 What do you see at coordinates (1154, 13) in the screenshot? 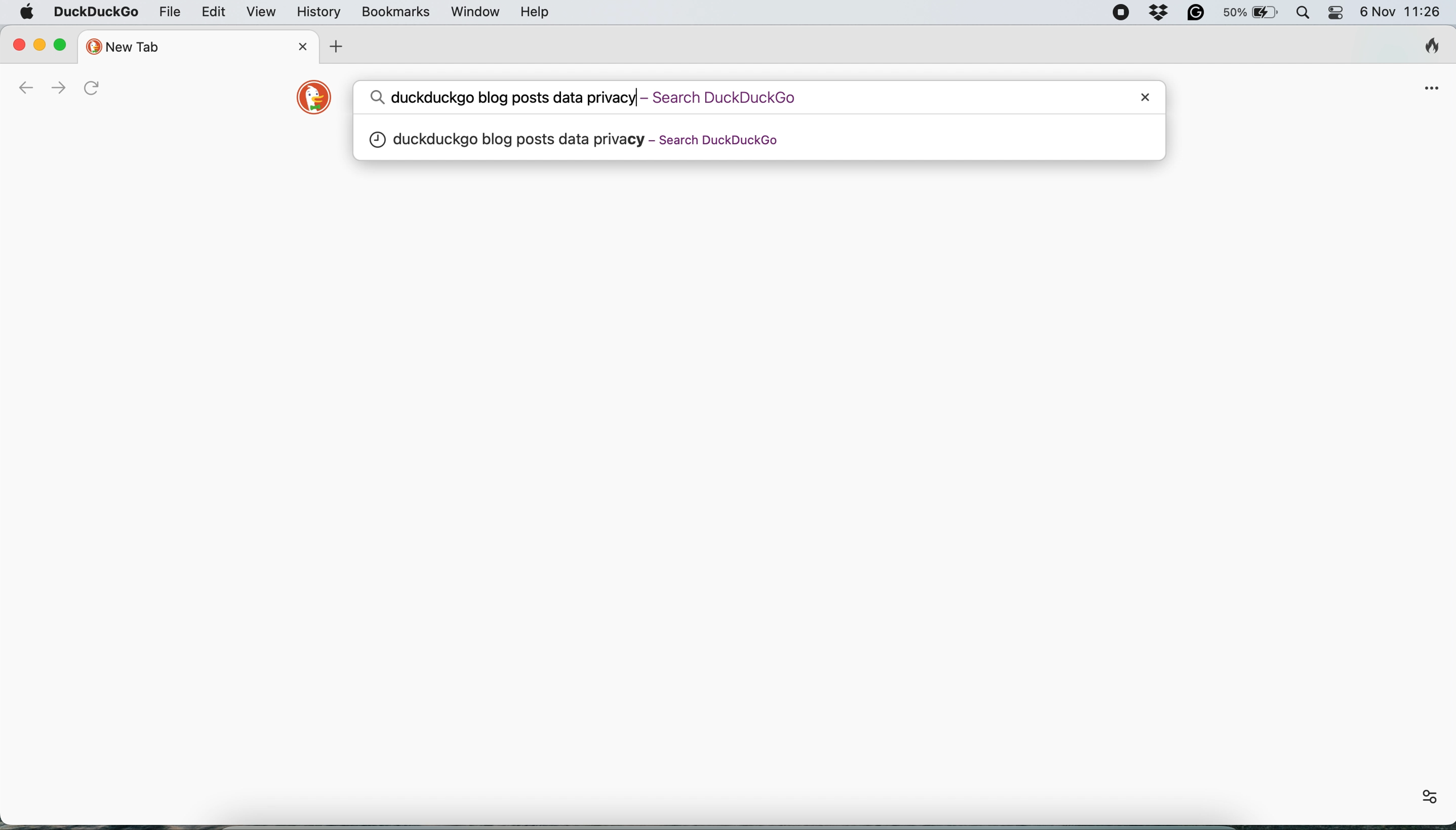
I see `dropbox` at bounding box center [1154, 13].